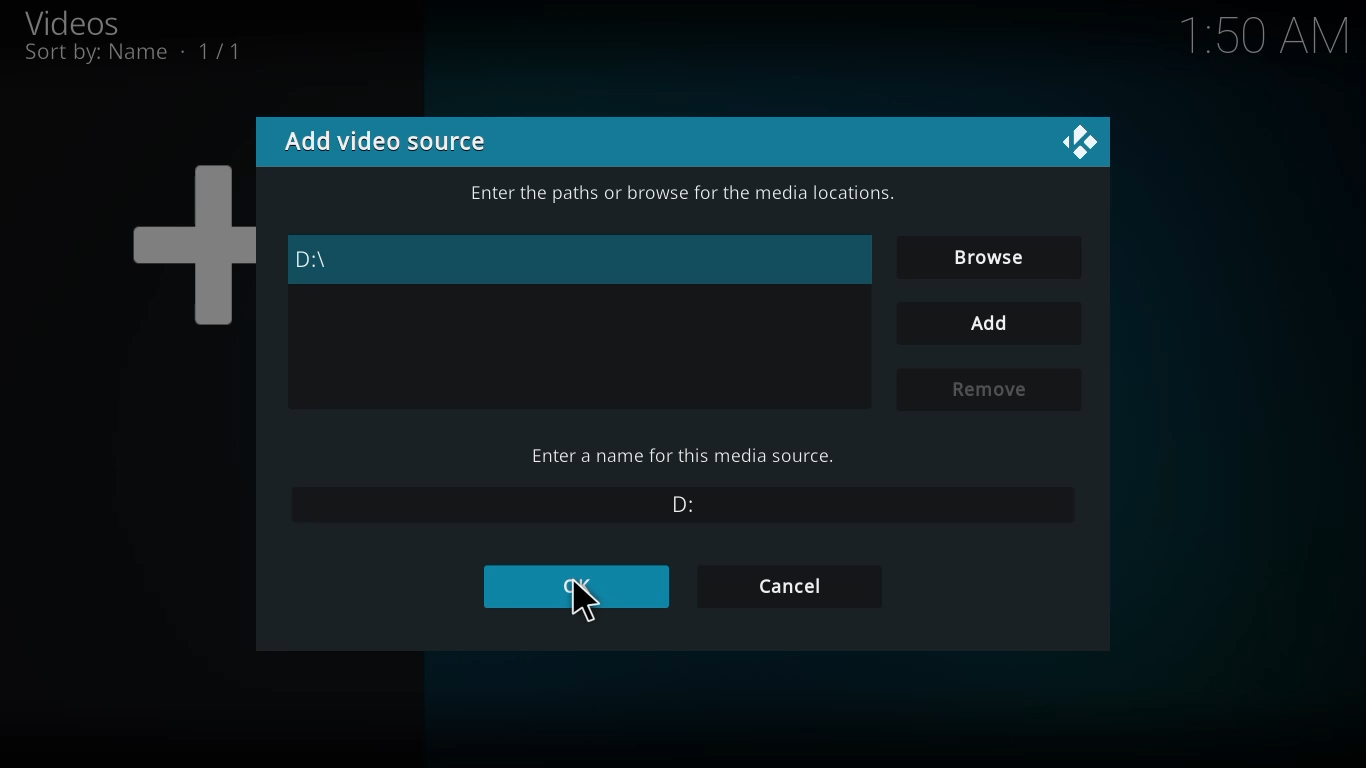 This screenshot has height=768, width=1366. I want to click on enter a name , so click(680, 456).